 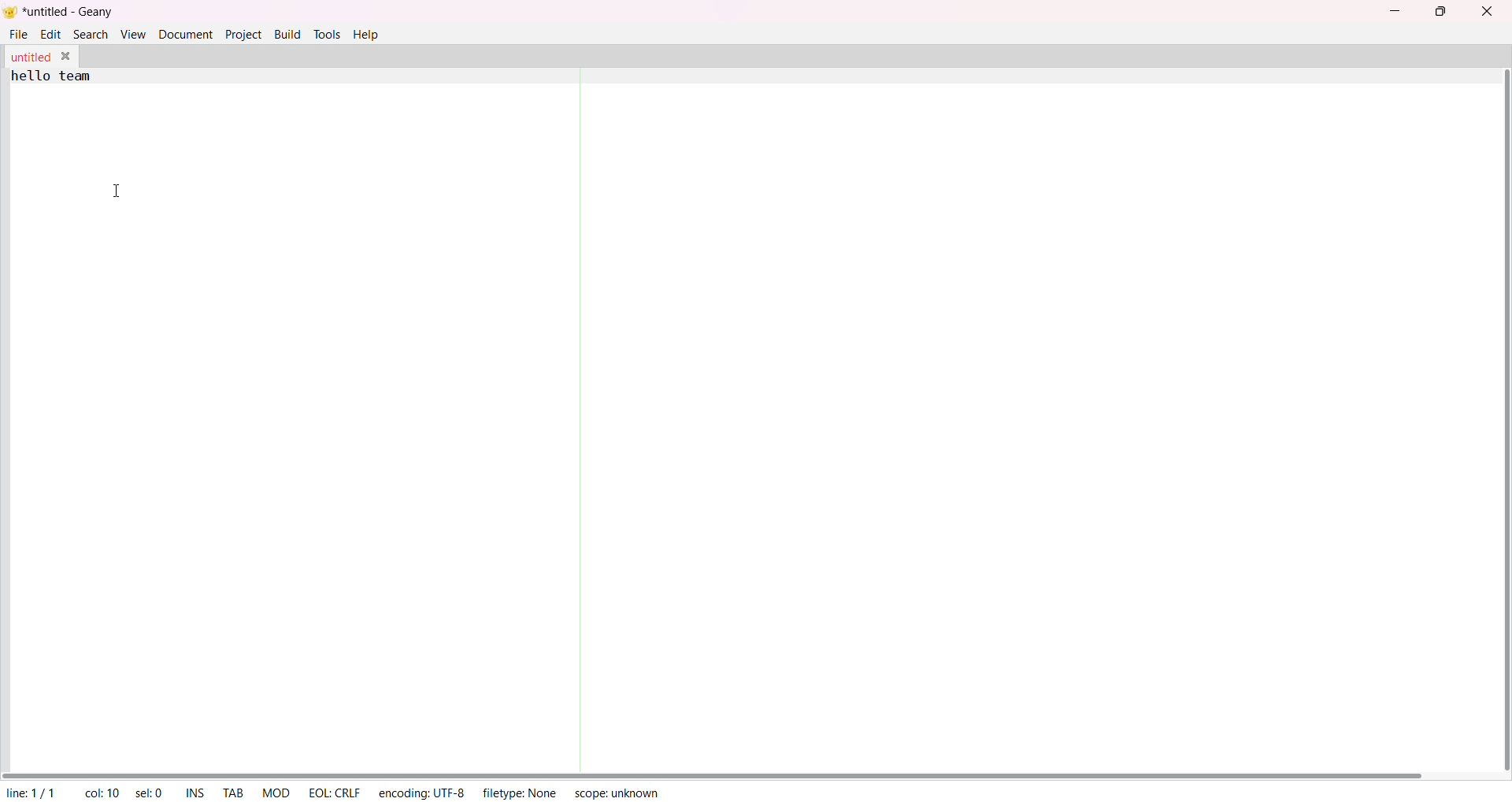 What do you see at coordinates (235, 791) in the screenshot?
I see `tab` at bounding box center [235, 791].